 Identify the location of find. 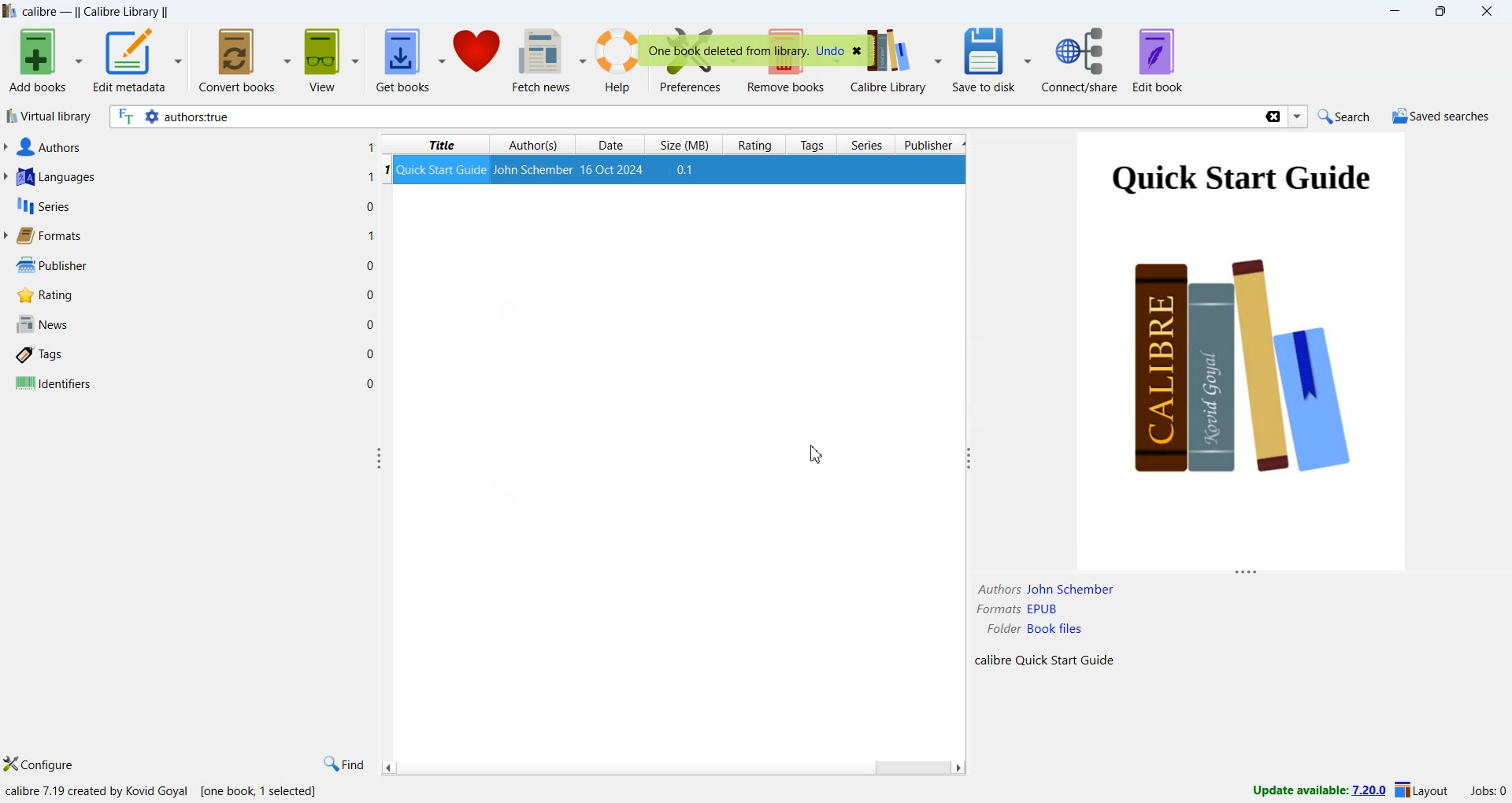
(343, 764).